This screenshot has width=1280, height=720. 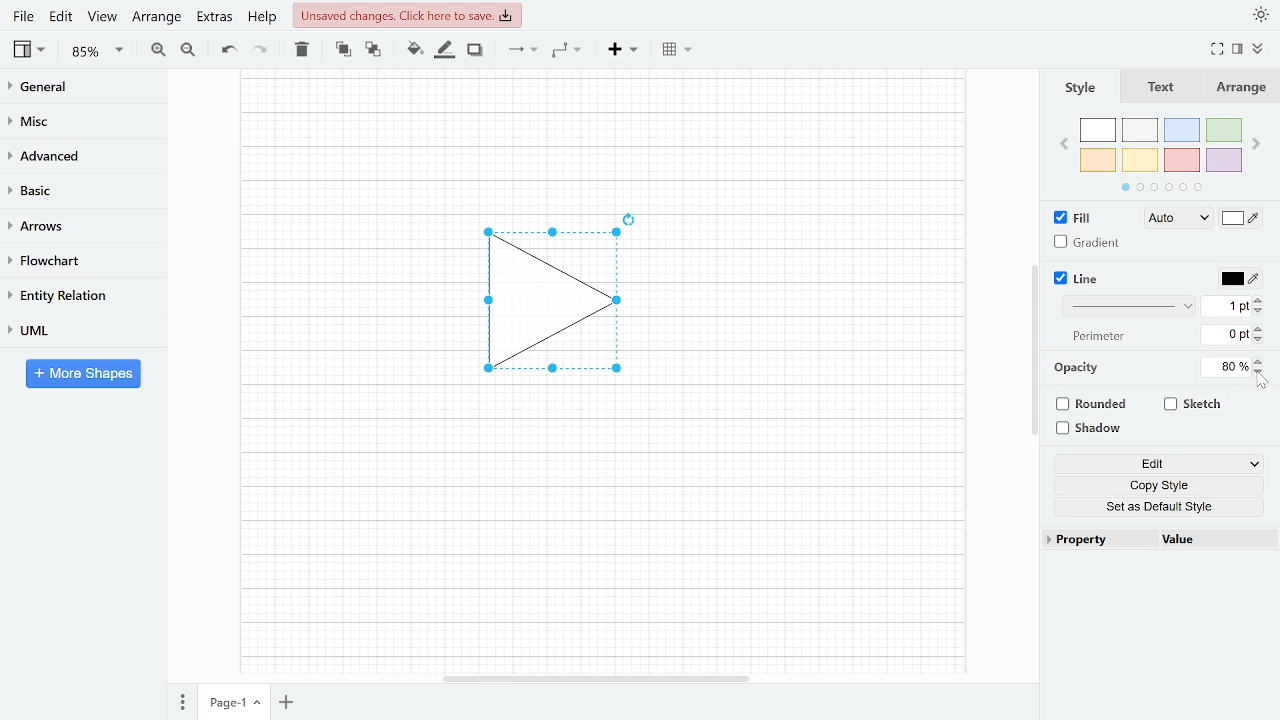 I want to click on Line style, so click(x=1132, y=306).